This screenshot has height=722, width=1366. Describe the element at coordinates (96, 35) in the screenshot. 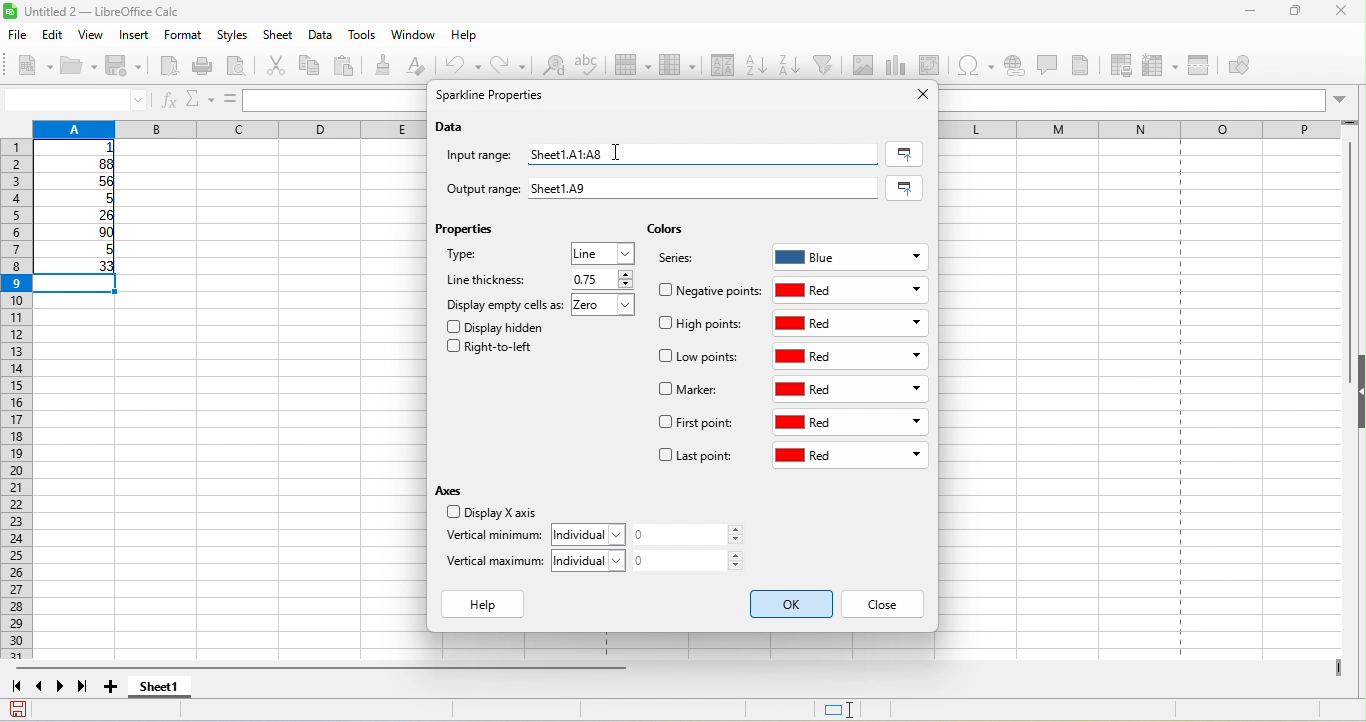

I see `view` at that location.